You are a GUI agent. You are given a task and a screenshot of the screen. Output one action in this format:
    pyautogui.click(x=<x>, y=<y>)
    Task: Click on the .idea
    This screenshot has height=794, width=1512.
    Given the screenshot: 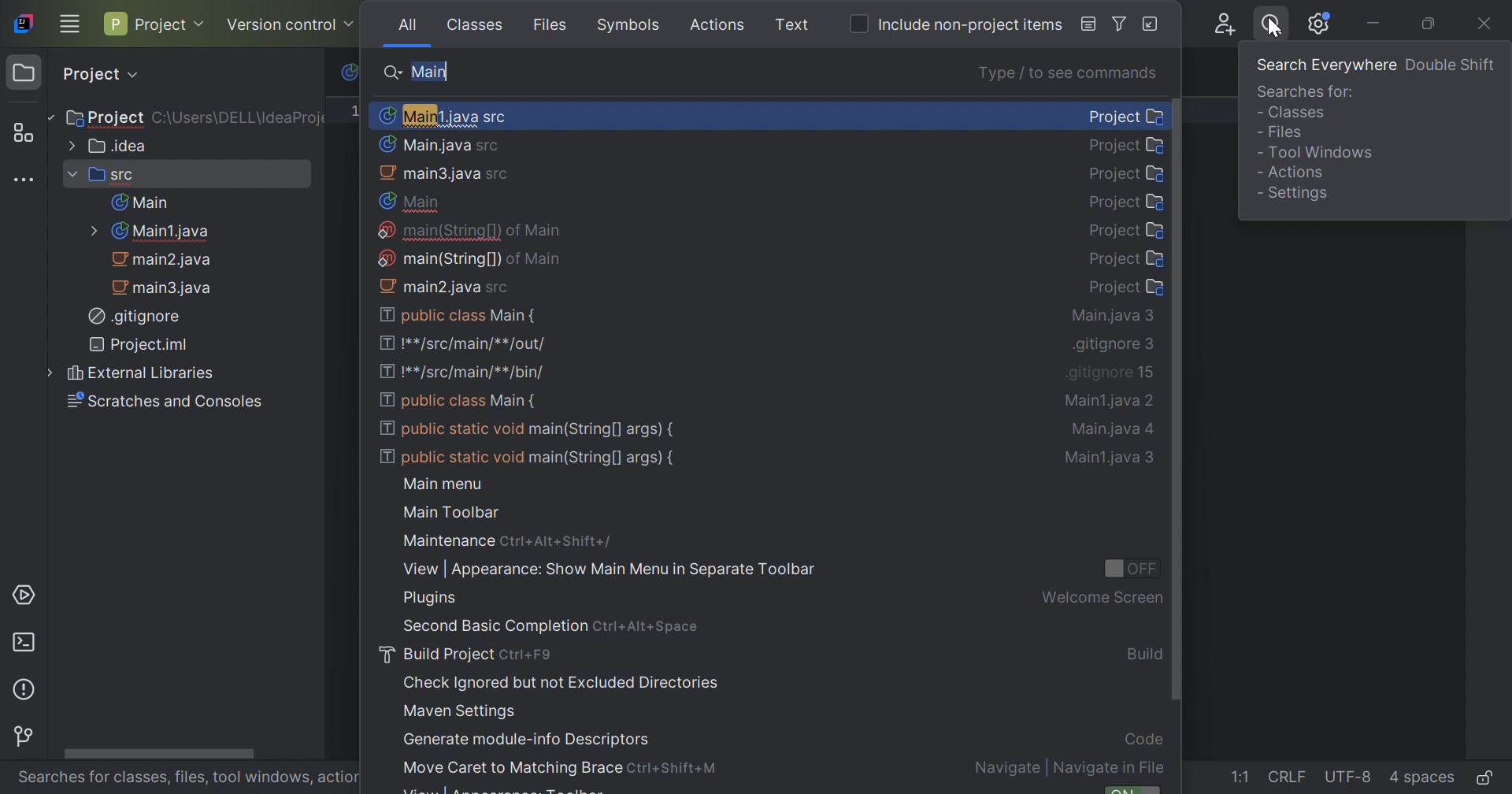 What is the action you would take?
    pyautogui.click(x=107, y=145)
    